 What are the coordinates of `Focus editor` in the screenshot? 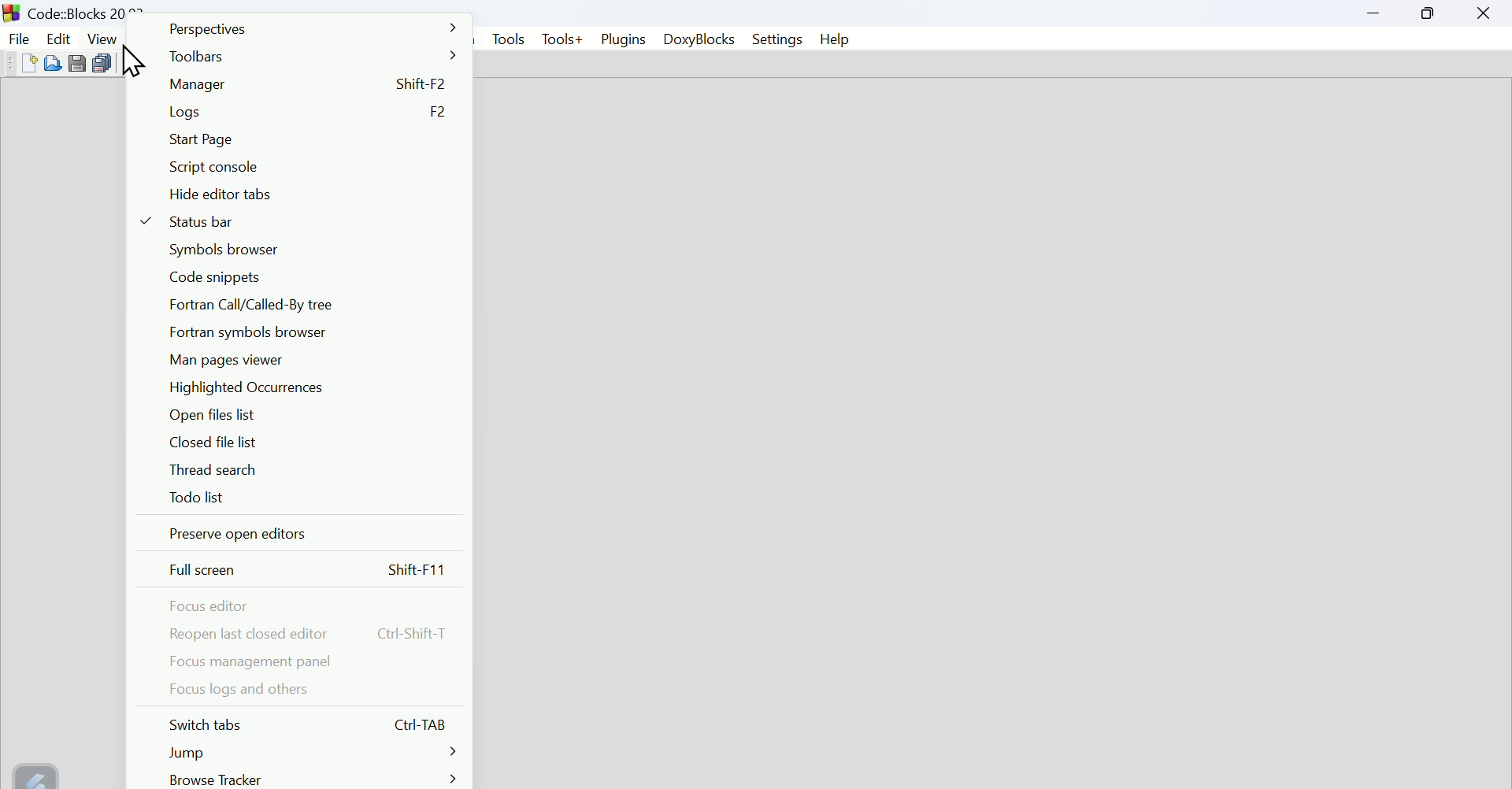 It's located at (220, 606).